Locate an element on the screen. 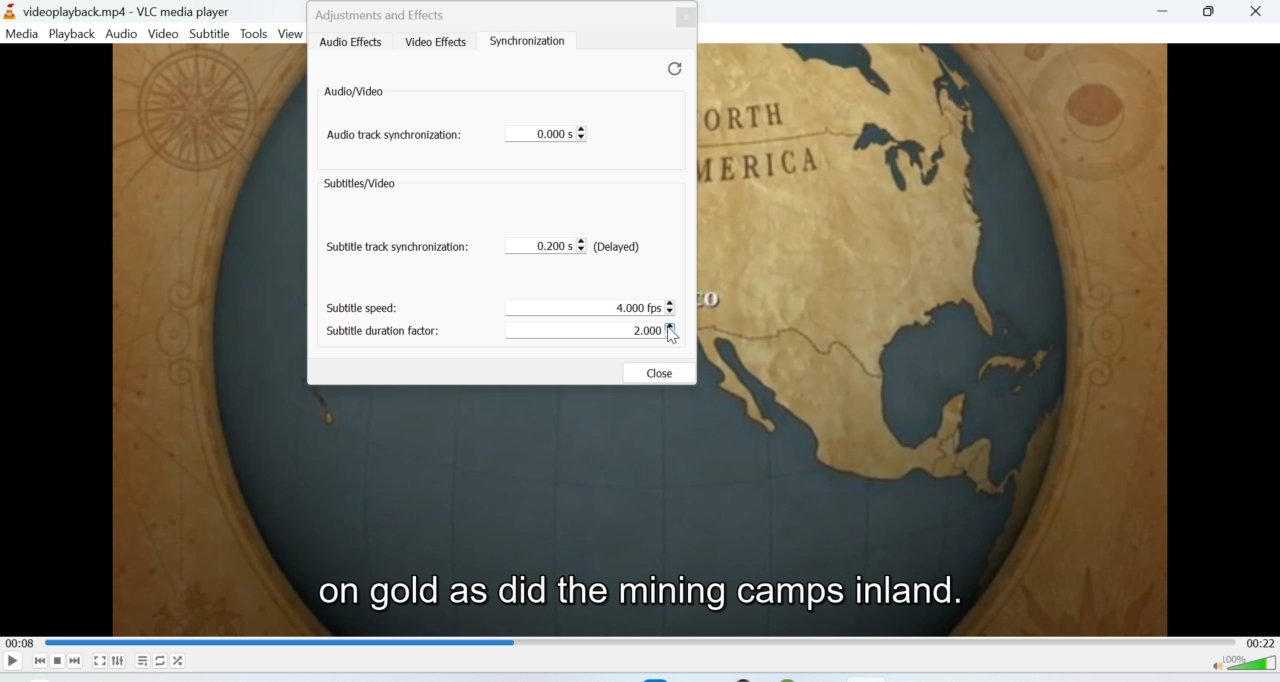  Tools is located at coordinates (254, 33).